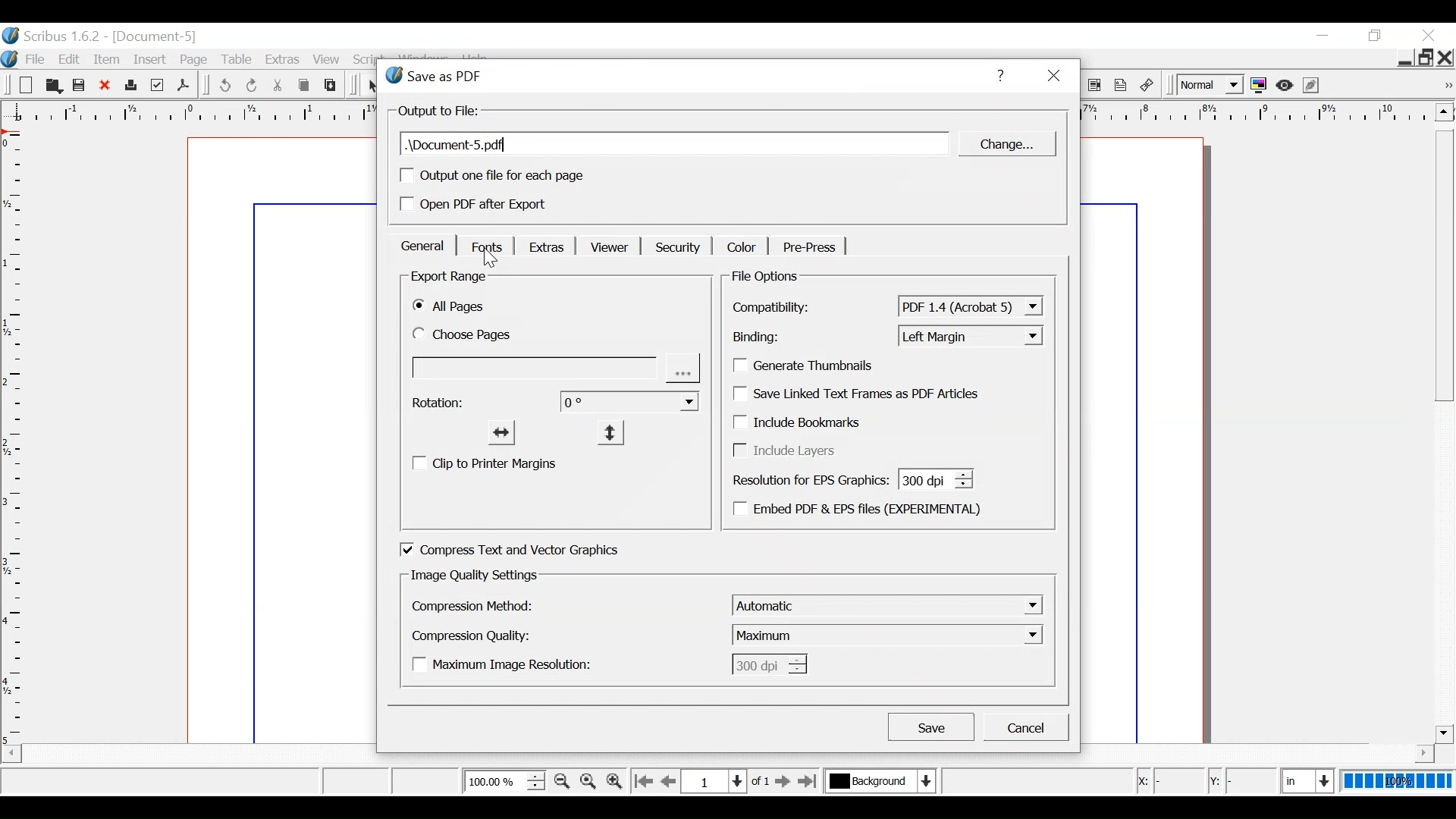 This screenshot has width=1456, height=819. What do you see at coordinates (1286, 86) in the screenshot?
I see `Preview mode` at bounding box center [1286, 86].